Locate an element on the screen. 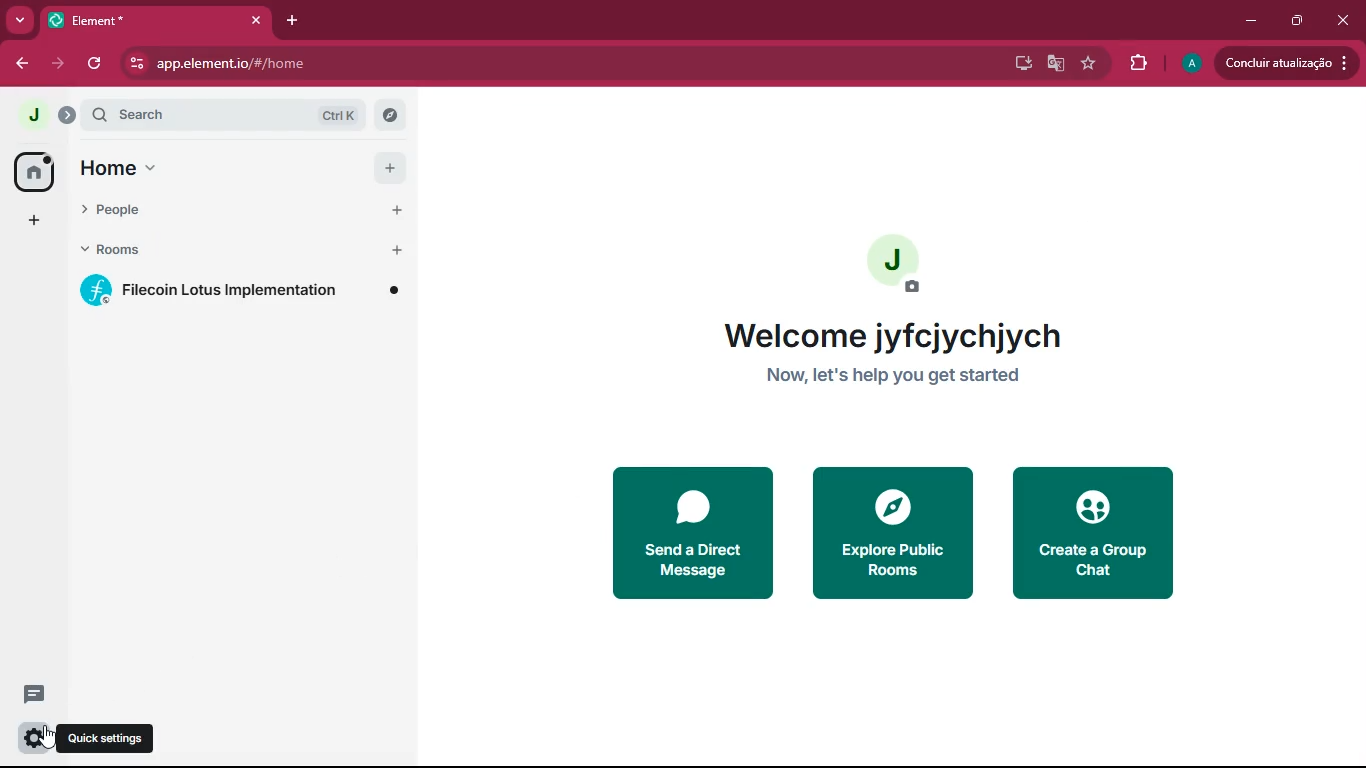 The image size is (1366, 768). extensions is located at coordinates (1138, 63).